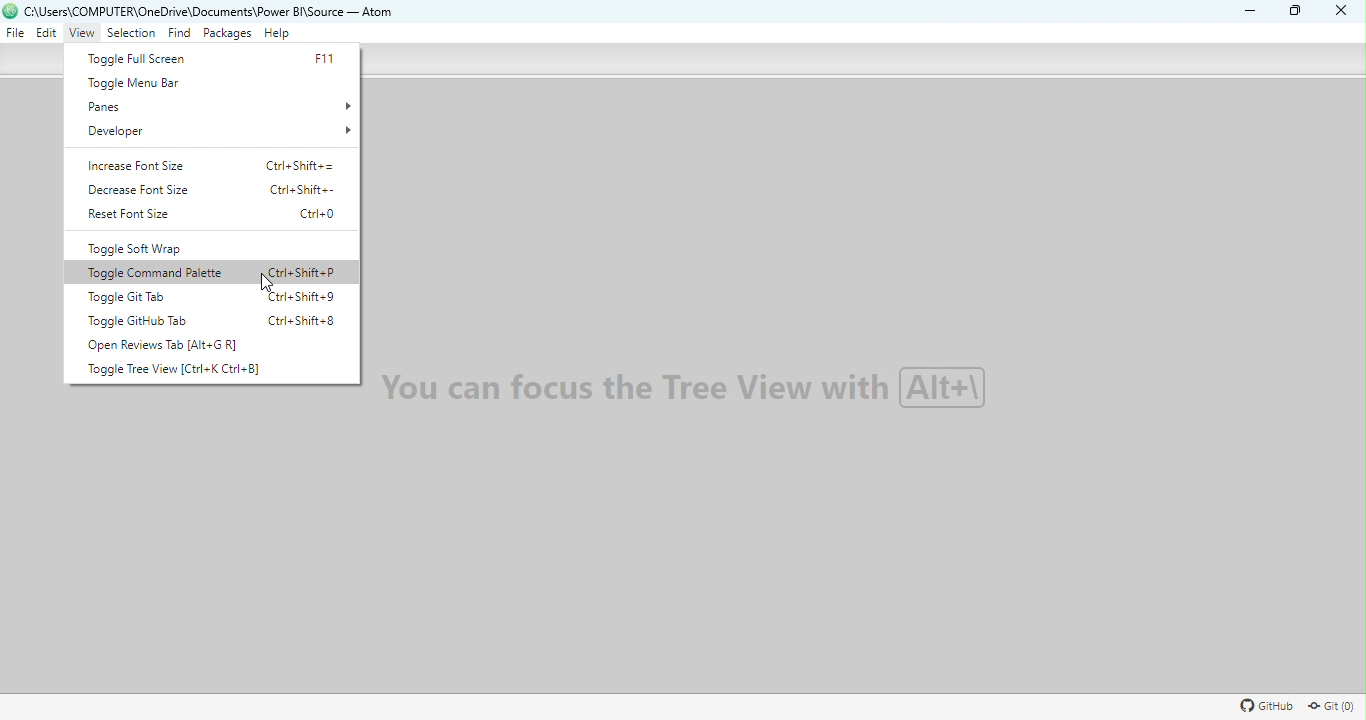 Image resolution: width=1366 pixels, height=720 pixels. I want to click on Increase font size, so click(224, 166).